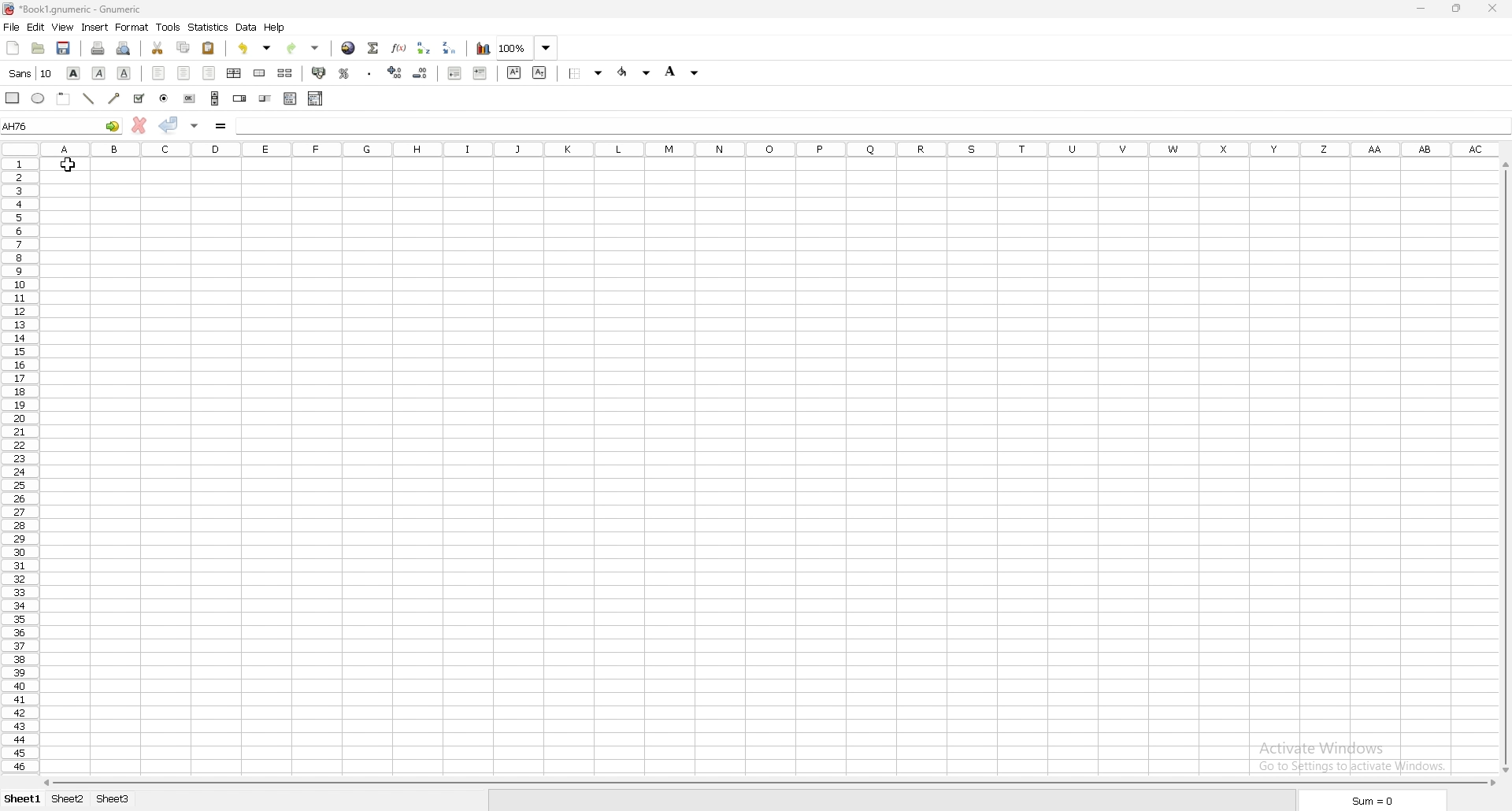 Image resolution: width=1512 pixels, height=811 pixels. Describe the element at coordinates (18, 468) in the screenshot. I see `rows` at that location.